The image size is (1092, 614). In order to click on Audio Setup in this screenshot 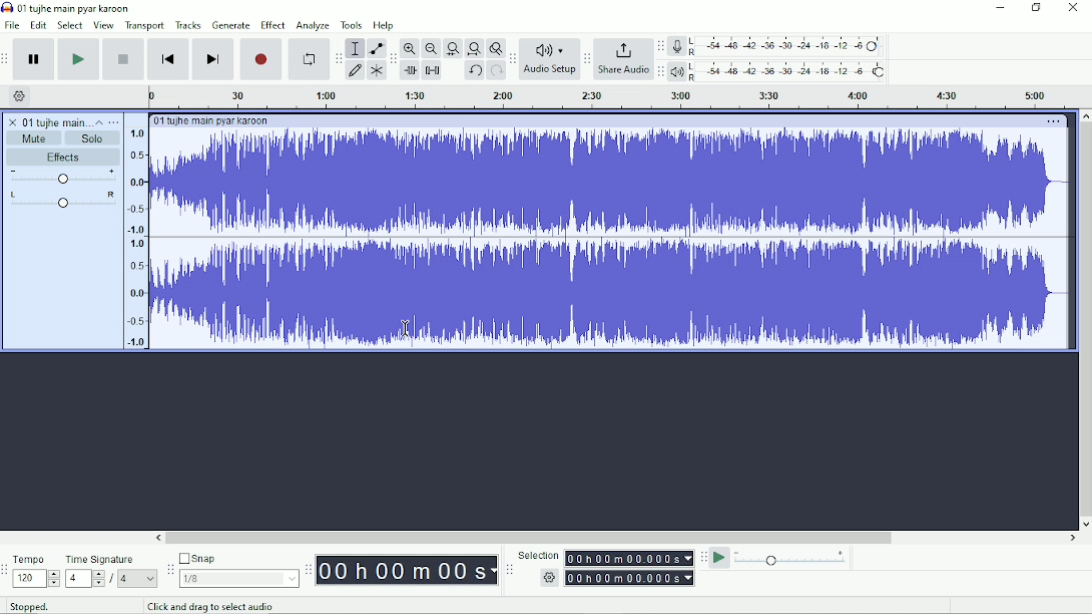, I will do `click(550, 58)`.